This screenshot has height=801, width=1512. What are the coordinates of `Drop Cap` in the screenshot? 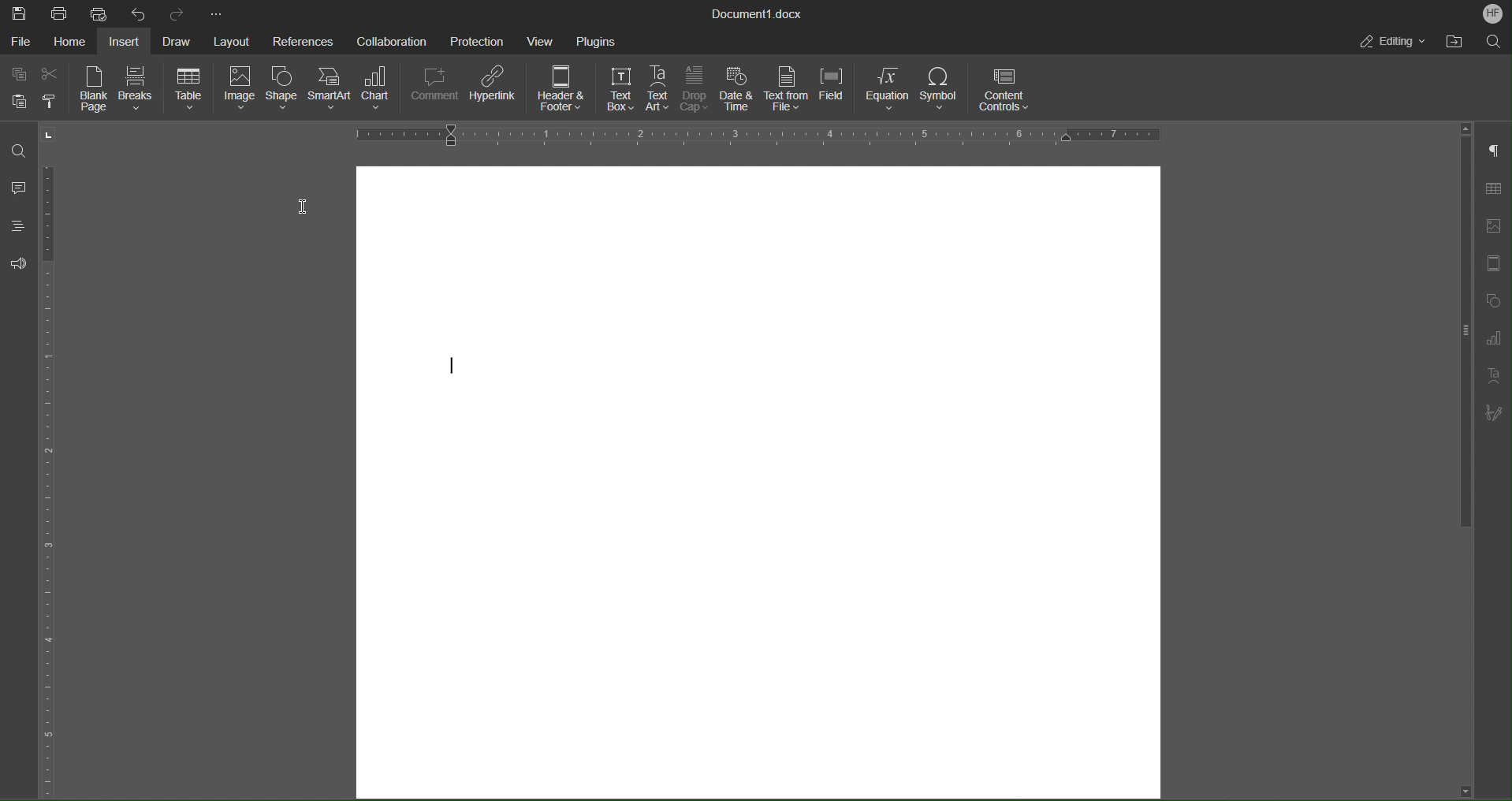 It's located at (695, 90).